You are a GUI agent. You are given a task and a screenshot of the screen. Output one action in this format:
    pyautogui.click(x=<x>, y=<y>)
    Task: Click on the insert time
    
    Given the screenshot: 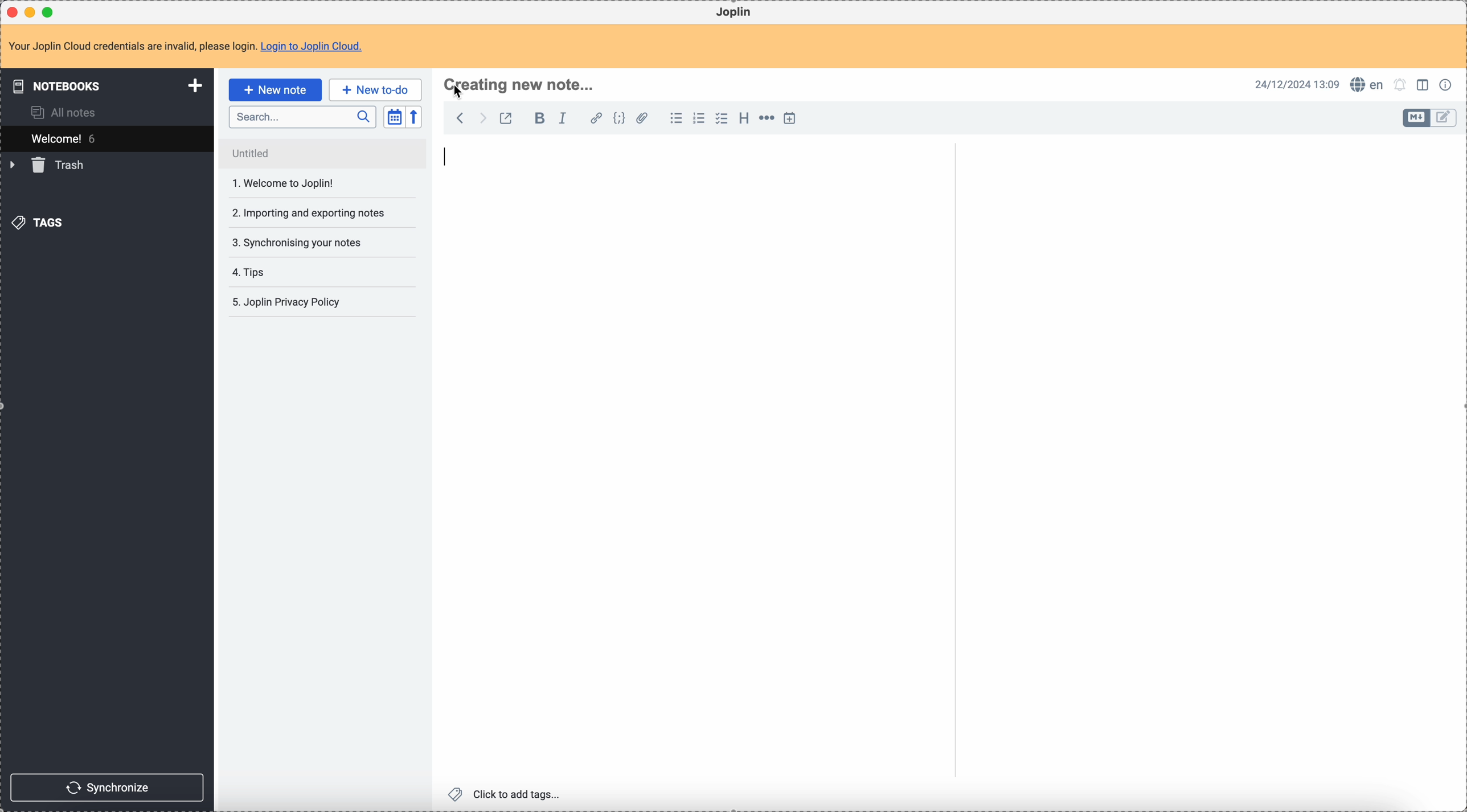 What is the action you would take?
    pyautogui.click(x=789, y=118)
    